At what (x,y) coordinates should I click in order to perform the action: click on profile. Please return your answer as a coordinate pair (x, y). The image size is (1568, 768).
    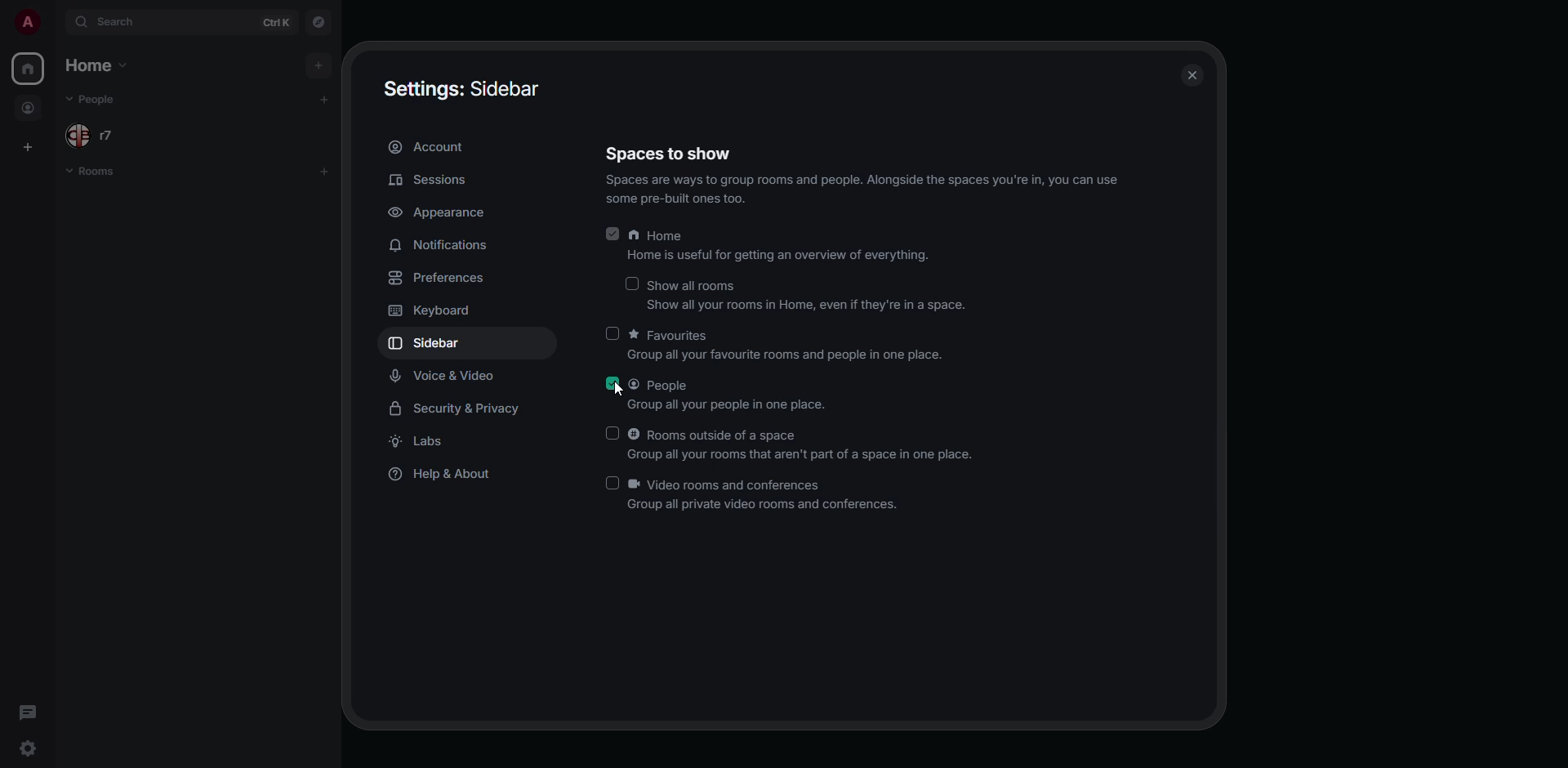
    Looking at the image, I should click on (26, 26).